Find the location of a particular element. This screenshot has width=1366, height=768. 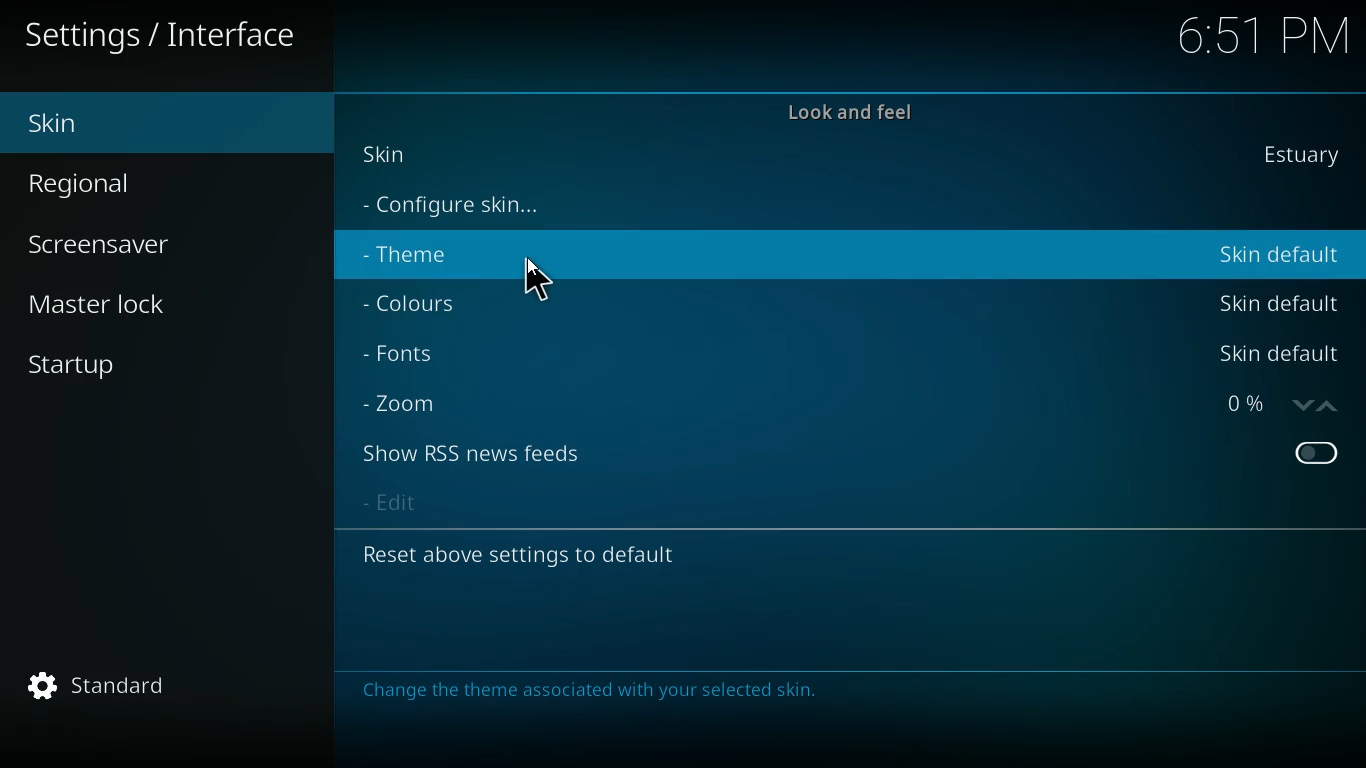

Time - 6:51PM is located at coordinates (1256, 36).